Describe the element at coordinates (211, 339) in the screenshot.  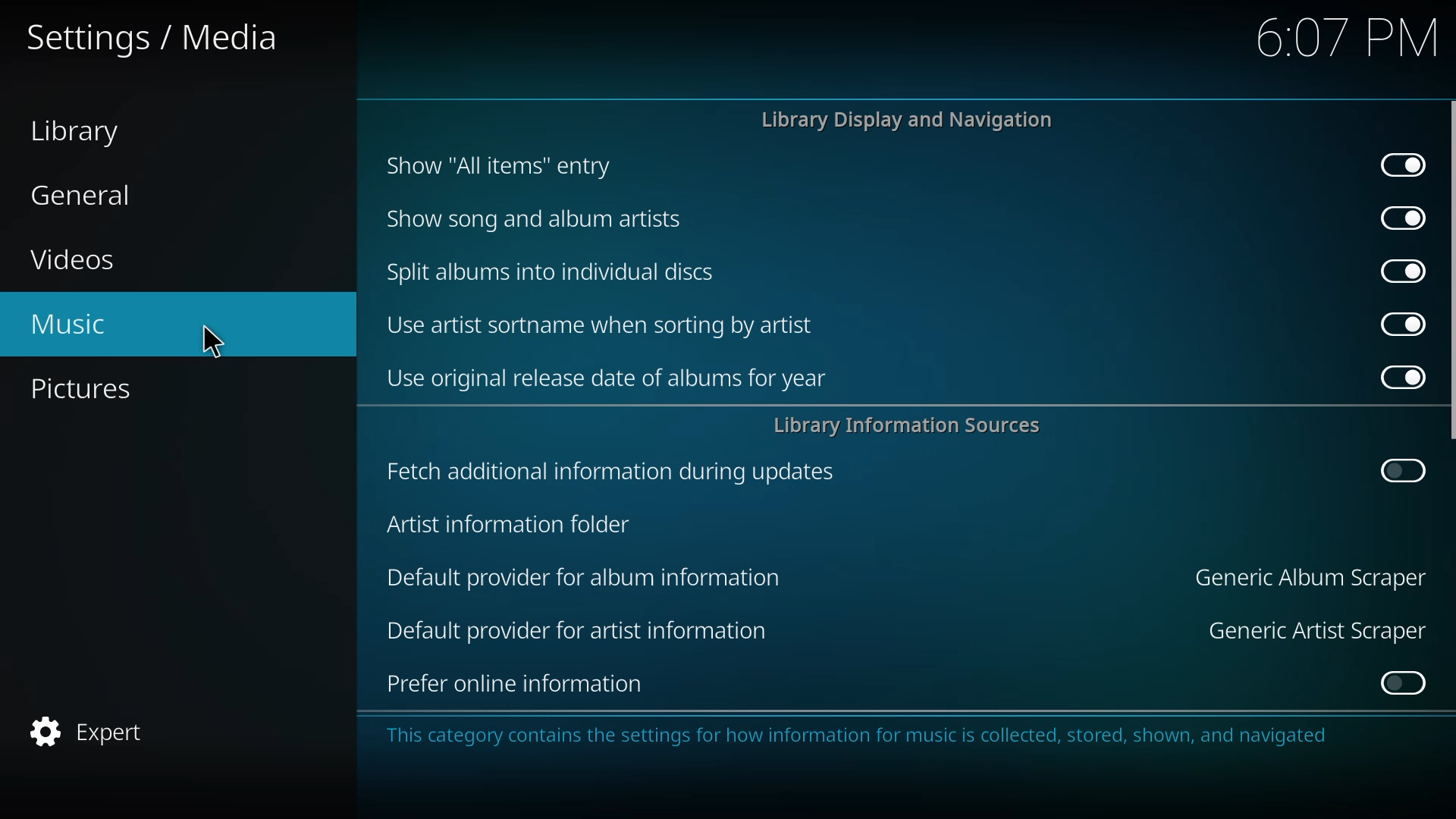
I see `cursor` at that location.